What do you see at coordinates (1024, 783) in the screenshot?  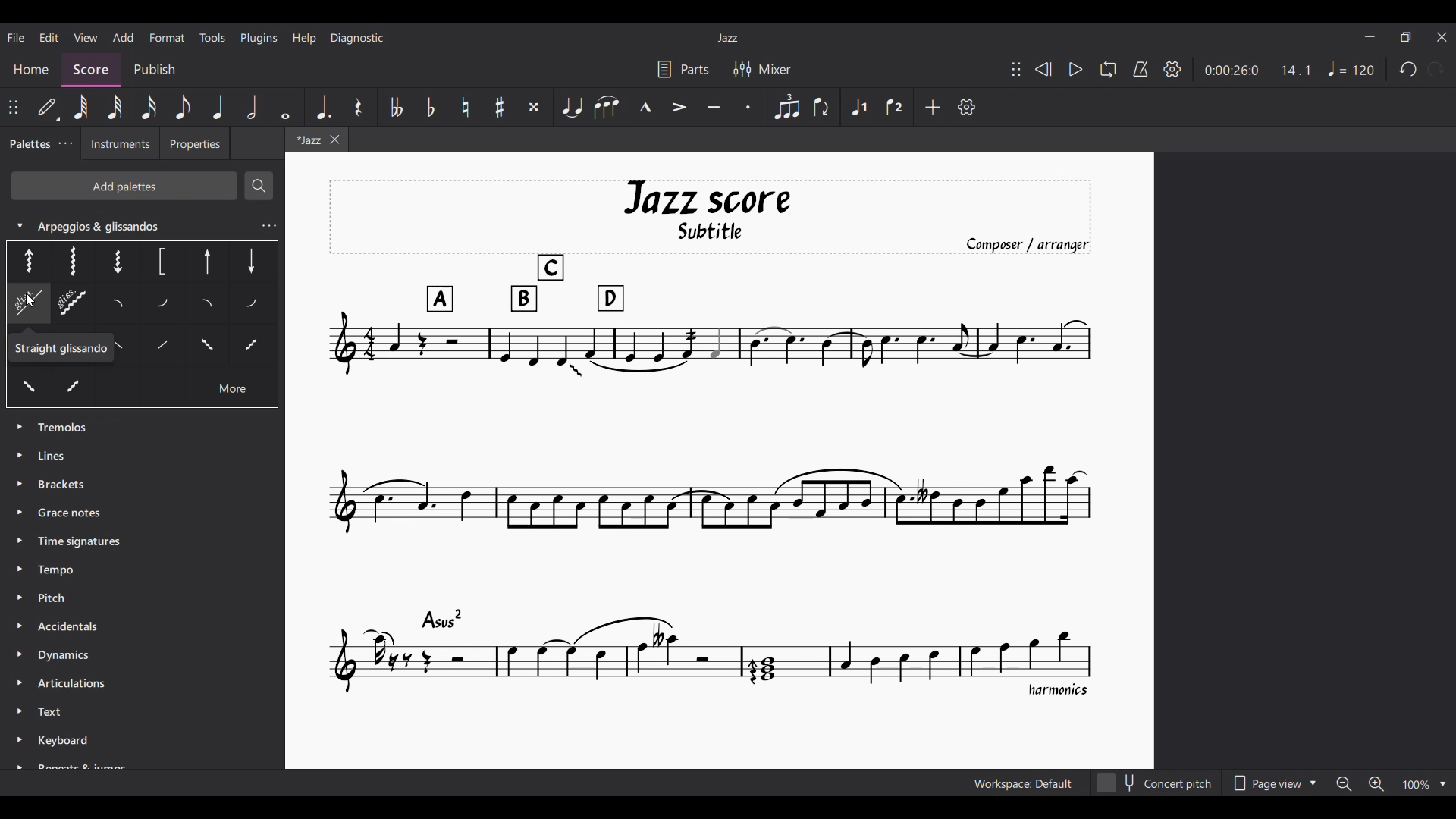 I see `Current workspace setting` at bounding box center [1024, 783].